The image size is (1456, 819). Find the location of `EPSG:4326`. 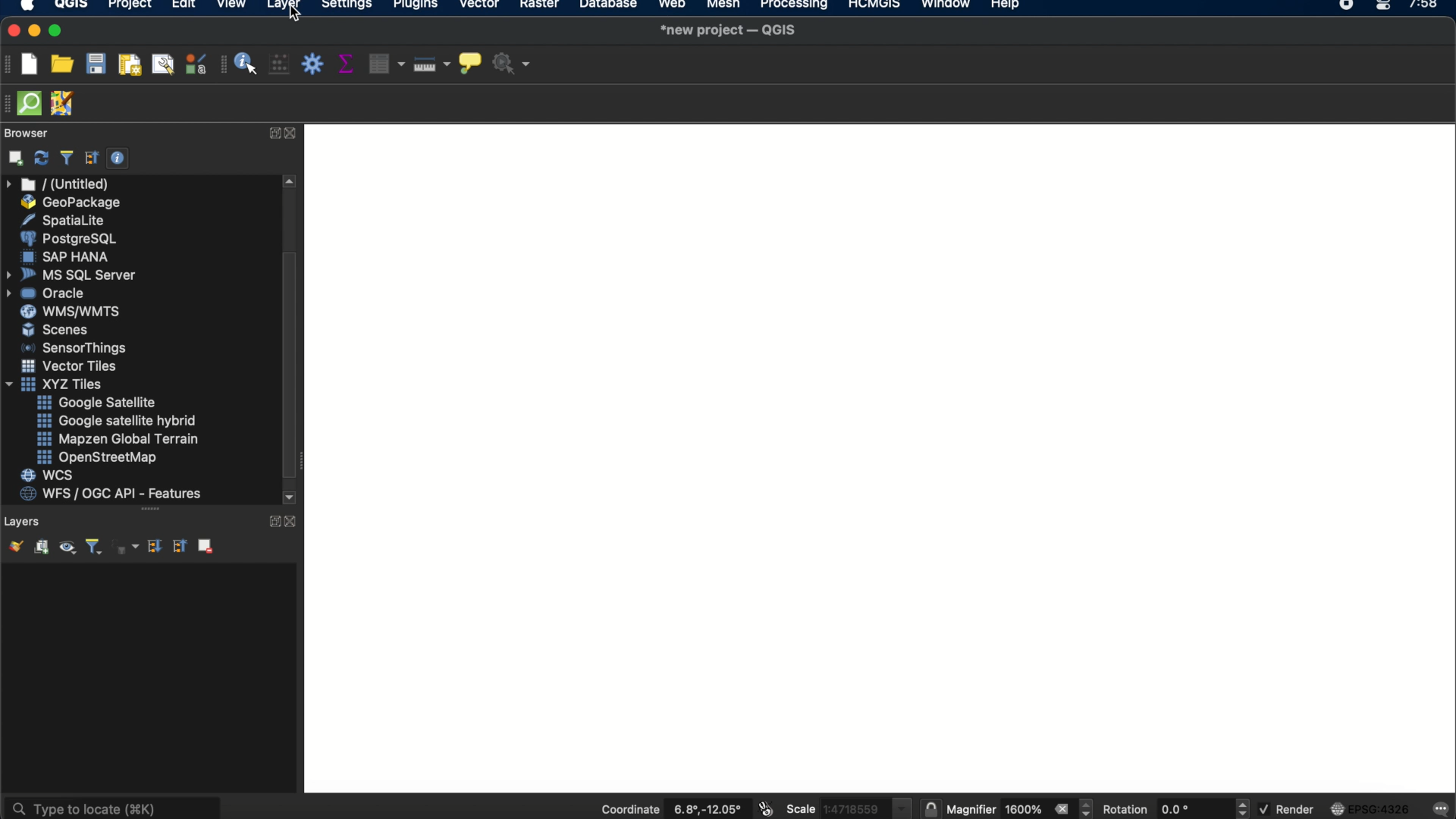

EPSG:4326 is located at coordinates (1370, 808).